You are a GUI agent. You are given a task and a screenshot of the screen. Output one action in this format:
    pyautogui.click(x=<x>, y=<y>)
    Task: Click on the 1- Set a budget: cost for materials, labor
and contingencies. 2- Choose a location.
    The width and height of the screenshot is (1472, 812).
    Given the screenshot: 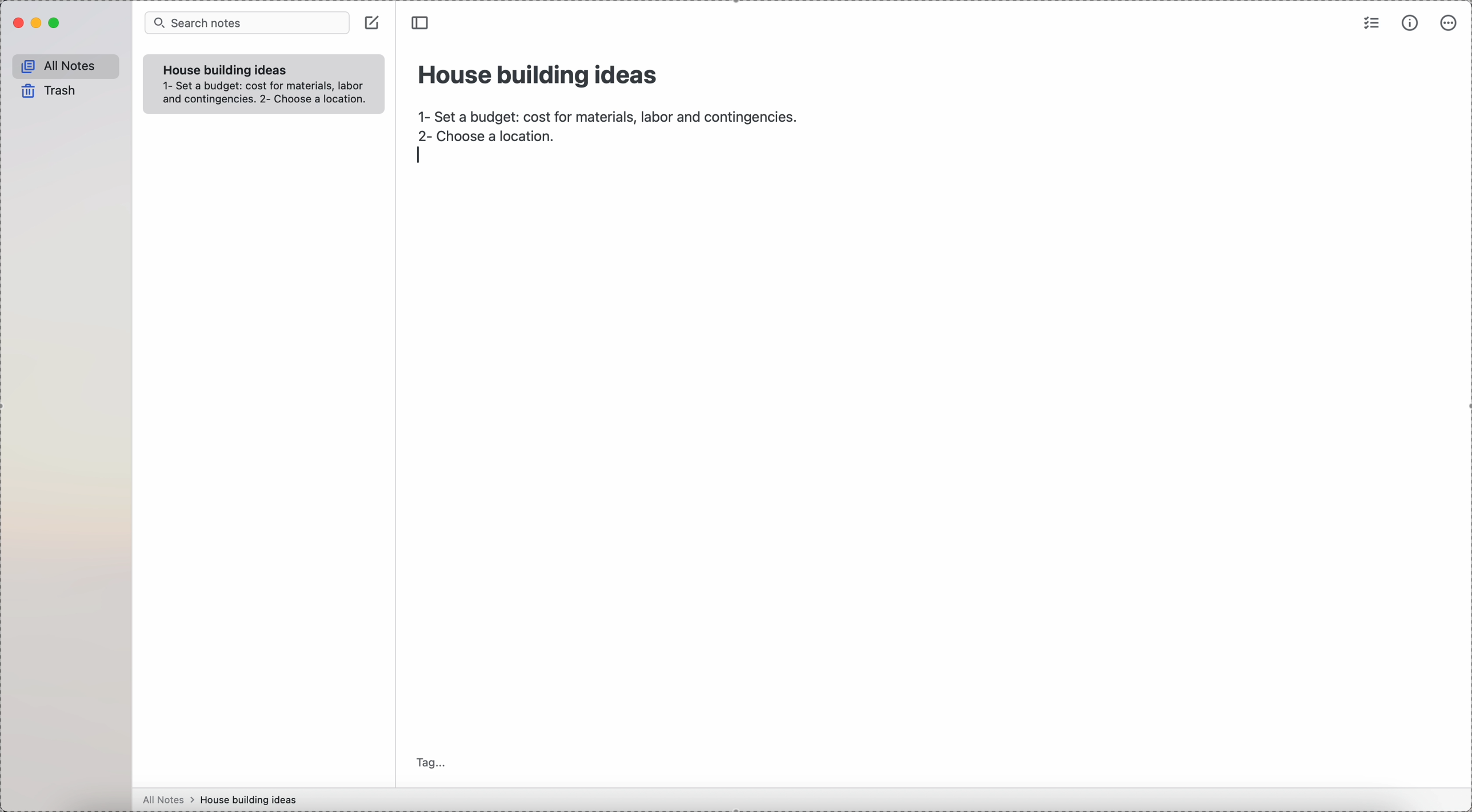 What is the action you would take?
    pyautogui.click(x=263, y=94)
    